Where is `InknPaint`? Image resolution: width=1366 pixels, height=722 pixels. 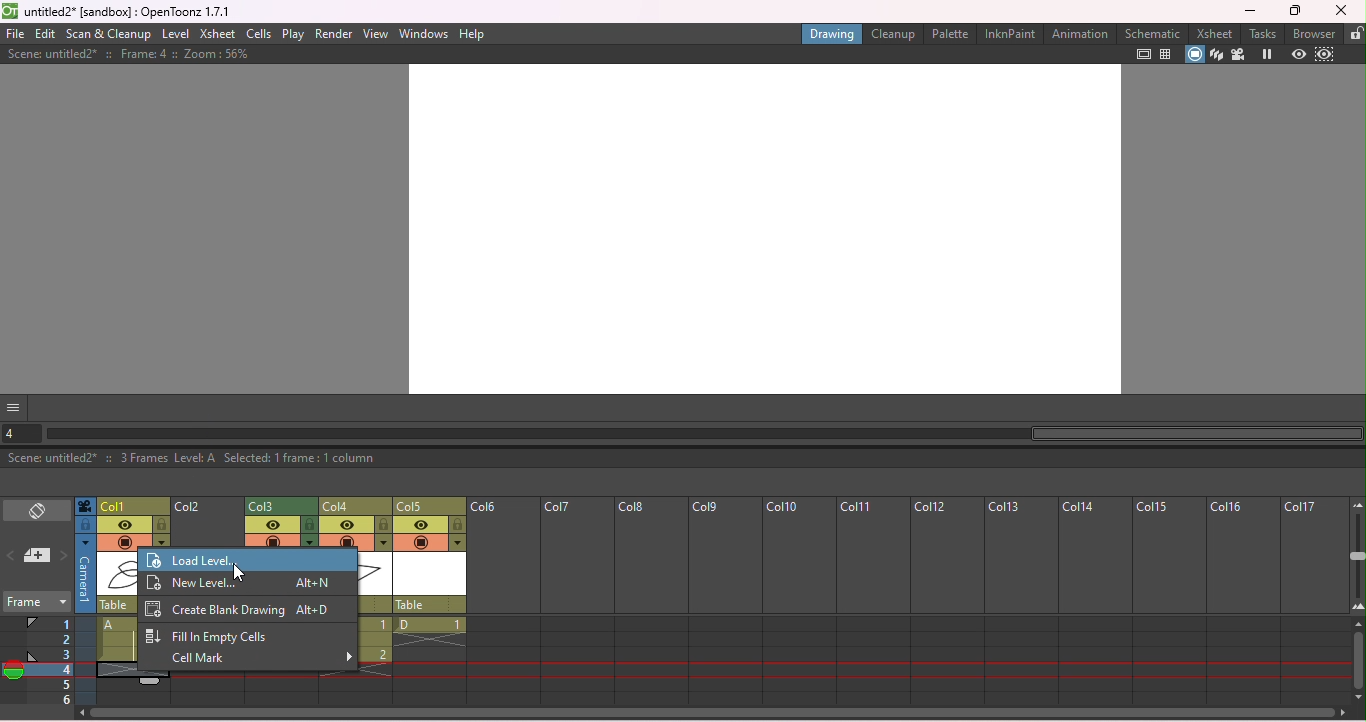 InknPaint is located at coordinates (1009, 34).